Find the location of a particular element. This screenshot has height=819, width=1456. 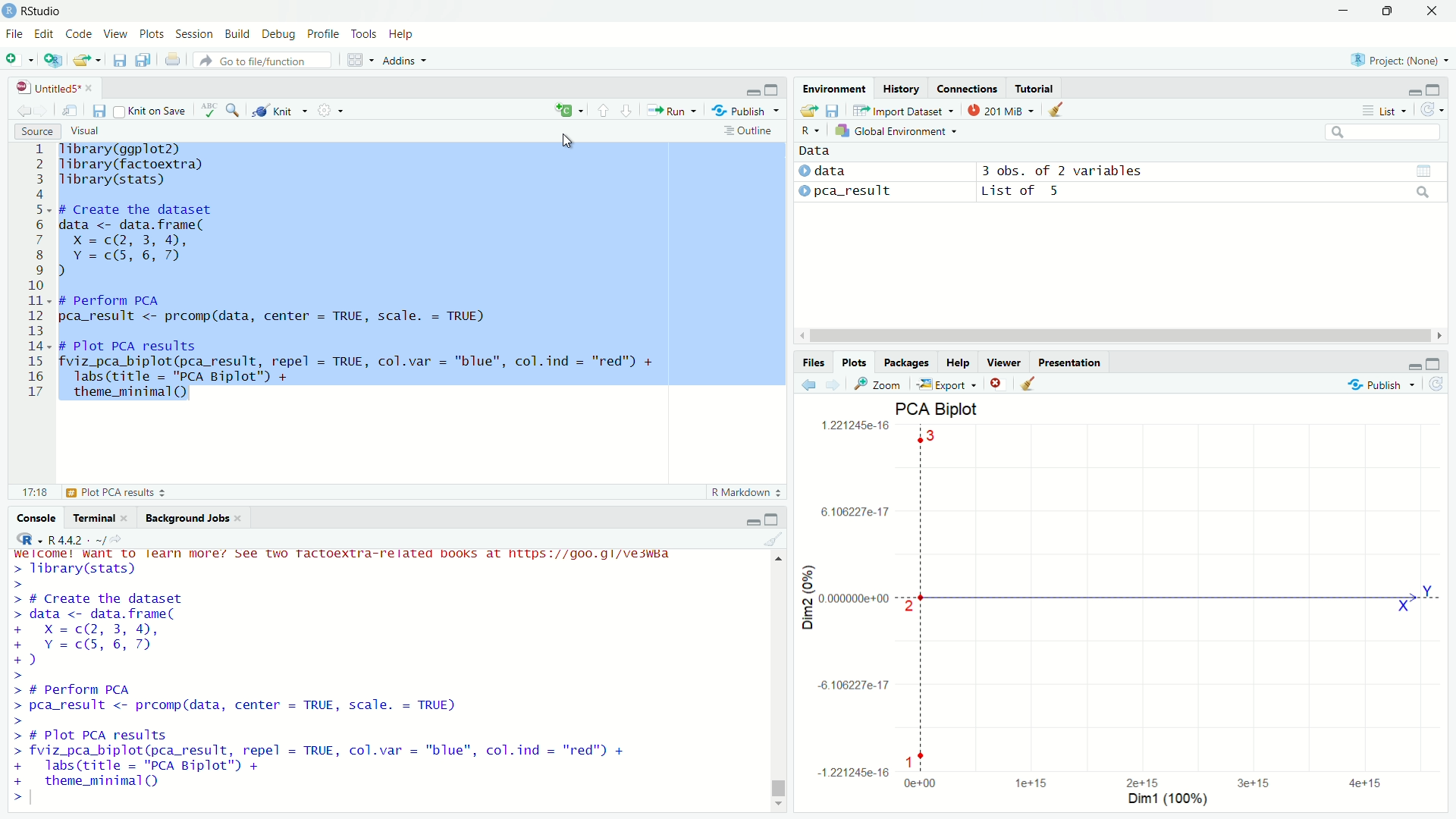

Create a project is located at coordinates (53, 60).